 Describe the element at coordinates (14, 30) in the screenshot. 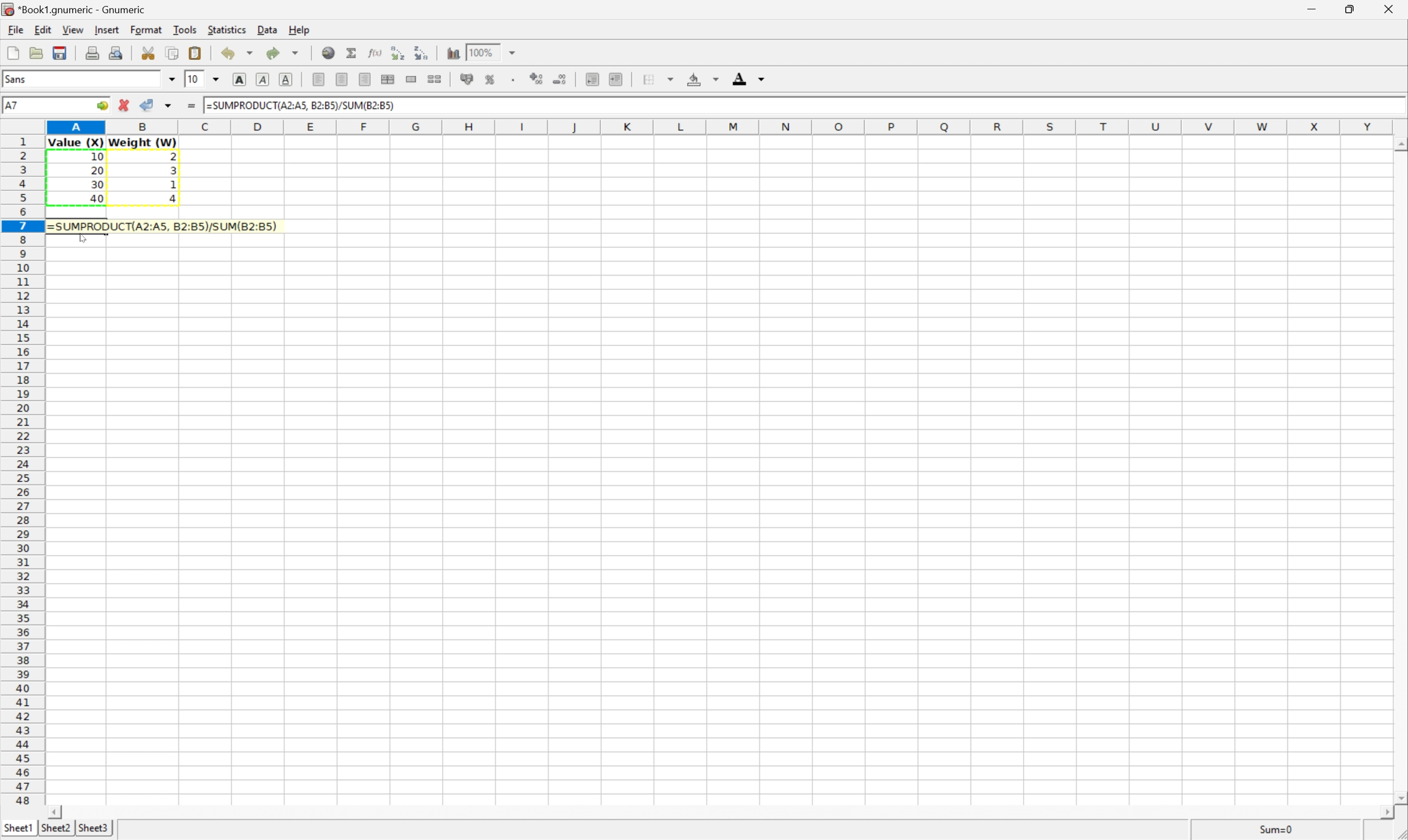

I see `File` at that location.